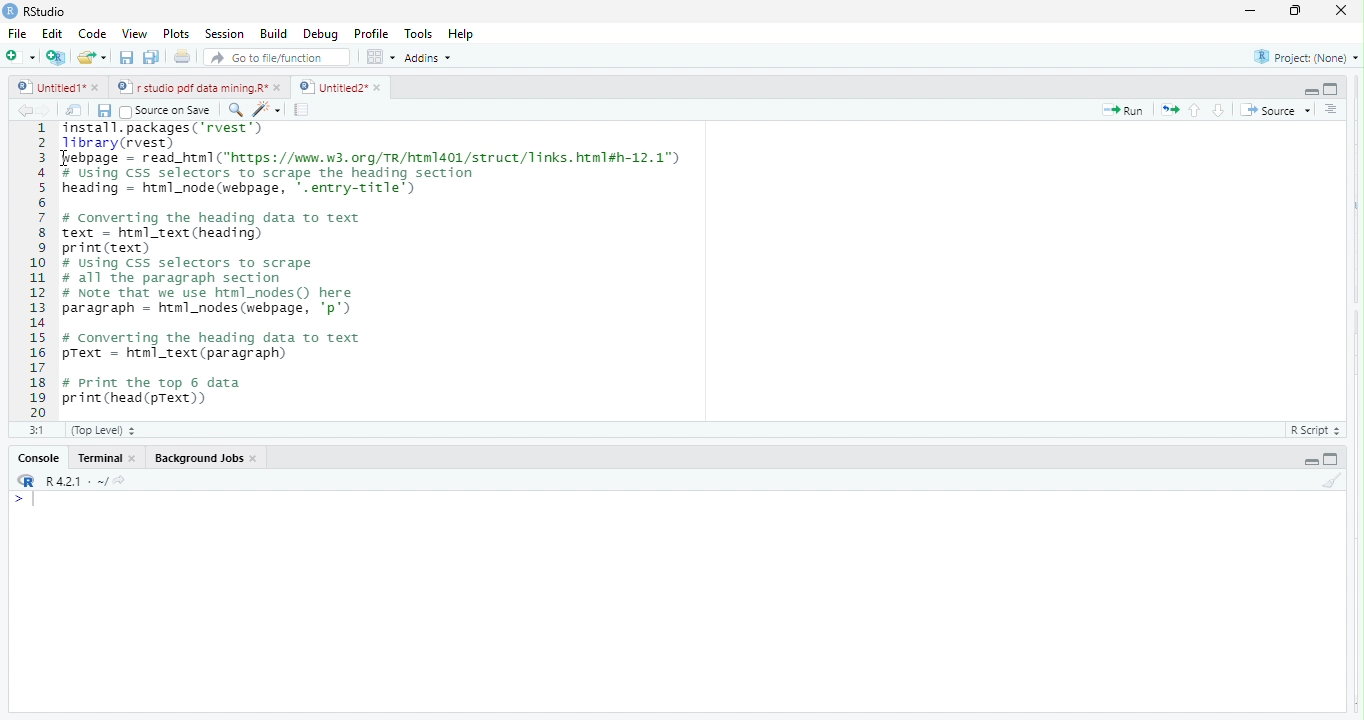 The image size is (1364, 720). Describe the element at coordinates (38, 269) in the screenshot. I see `1
2
3
a
5
6
7
H
9
10
11
12
13
14
15
16
17
18
19
20` at that location.